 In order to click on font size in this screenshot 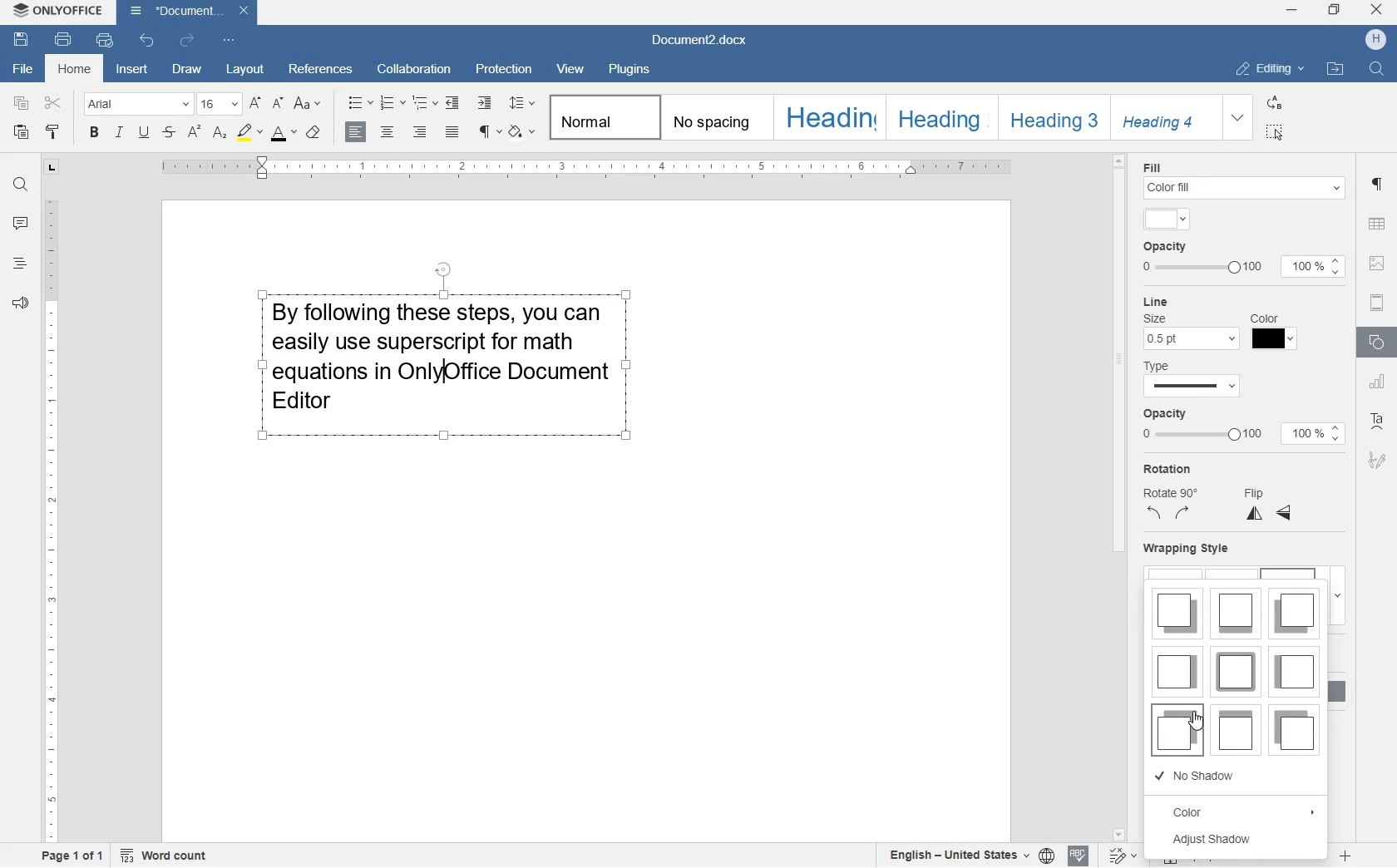, I will do `click(218, 104)`.